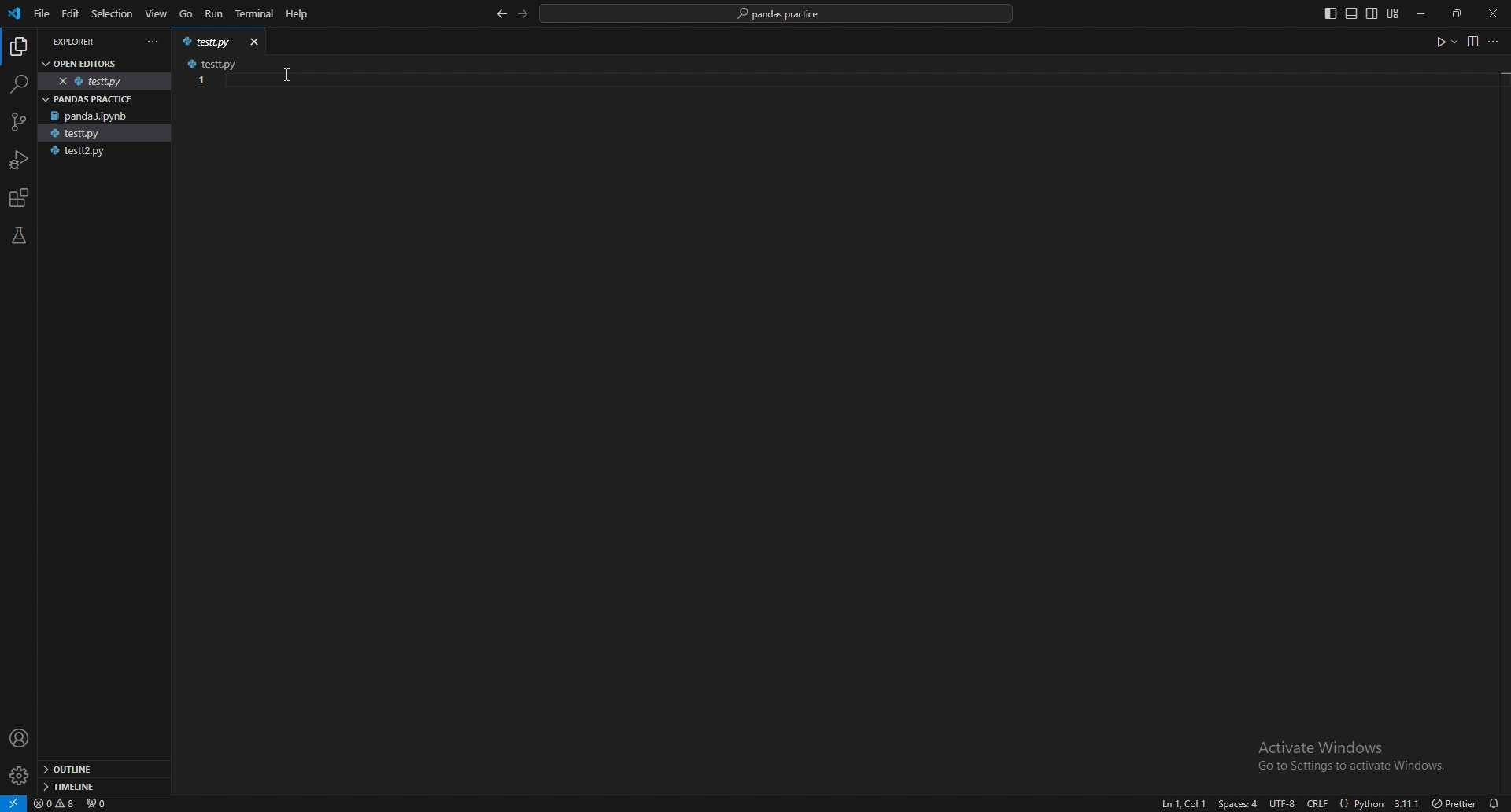 The height and width of the screenshot is (812, 1511). Describe the element at coordinates (523, 13) in the screenshot. I see `forward` at that location.